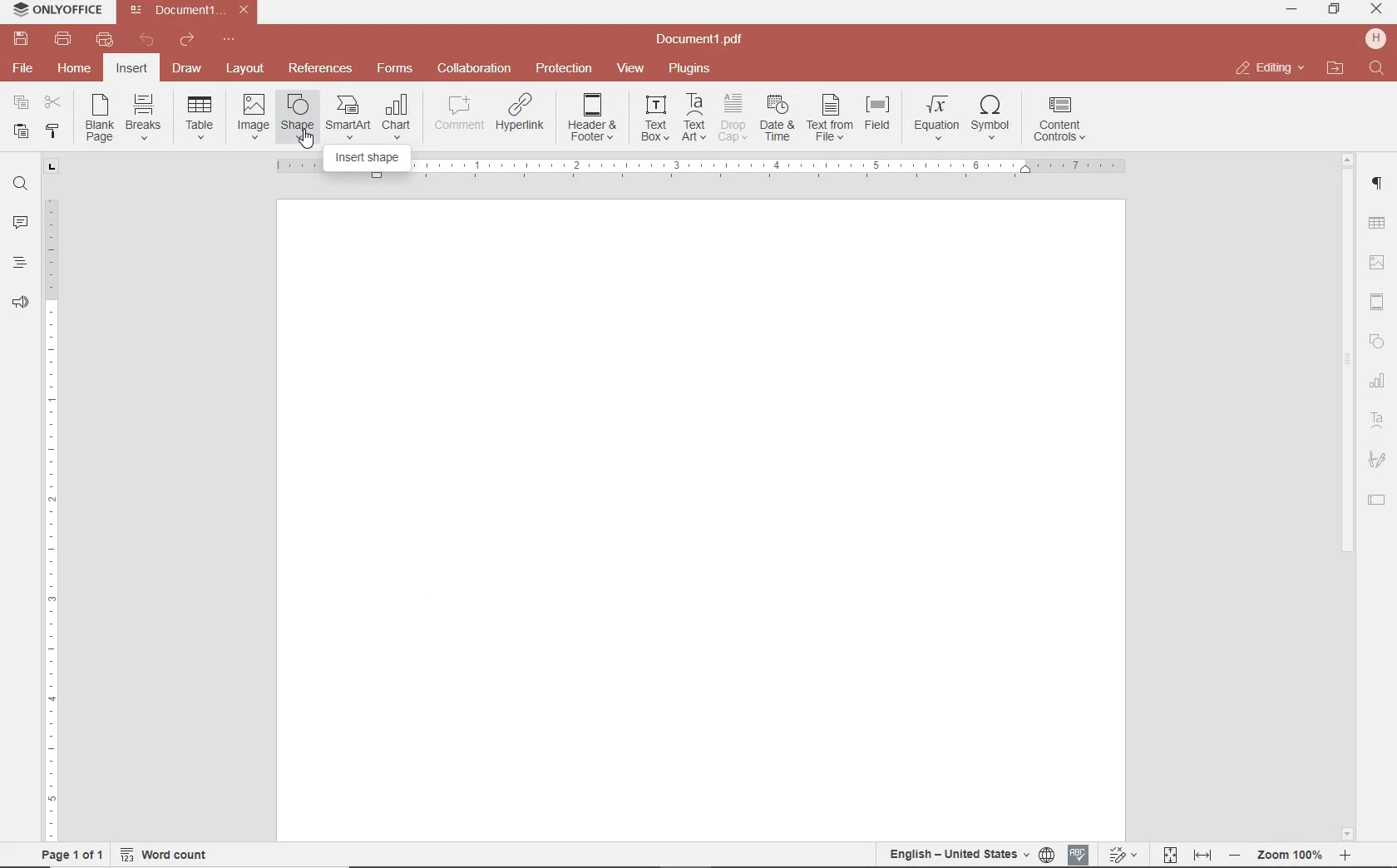  I want to click on paste, so click(19, 131).